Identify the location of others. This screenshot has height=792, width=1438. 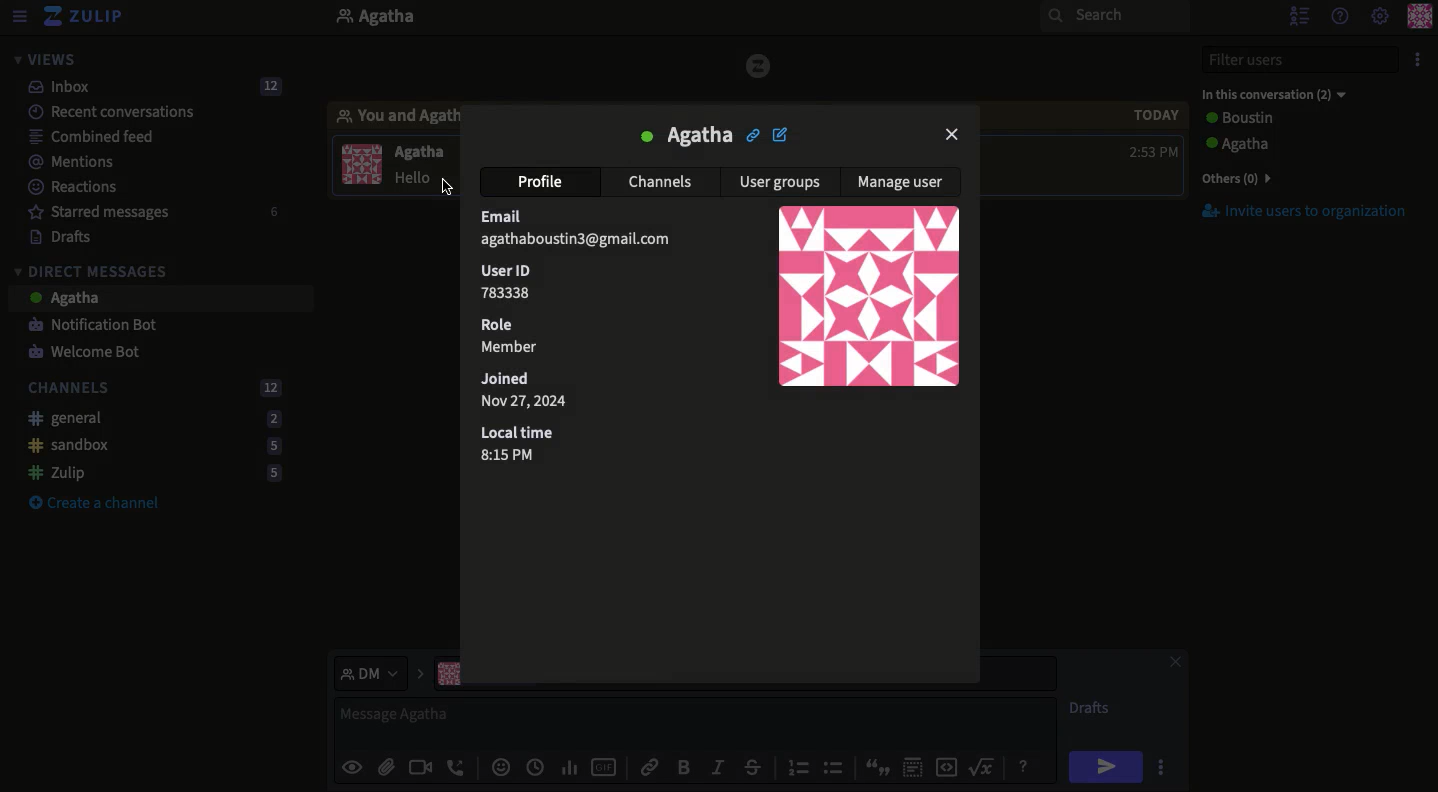
(1258, 177).